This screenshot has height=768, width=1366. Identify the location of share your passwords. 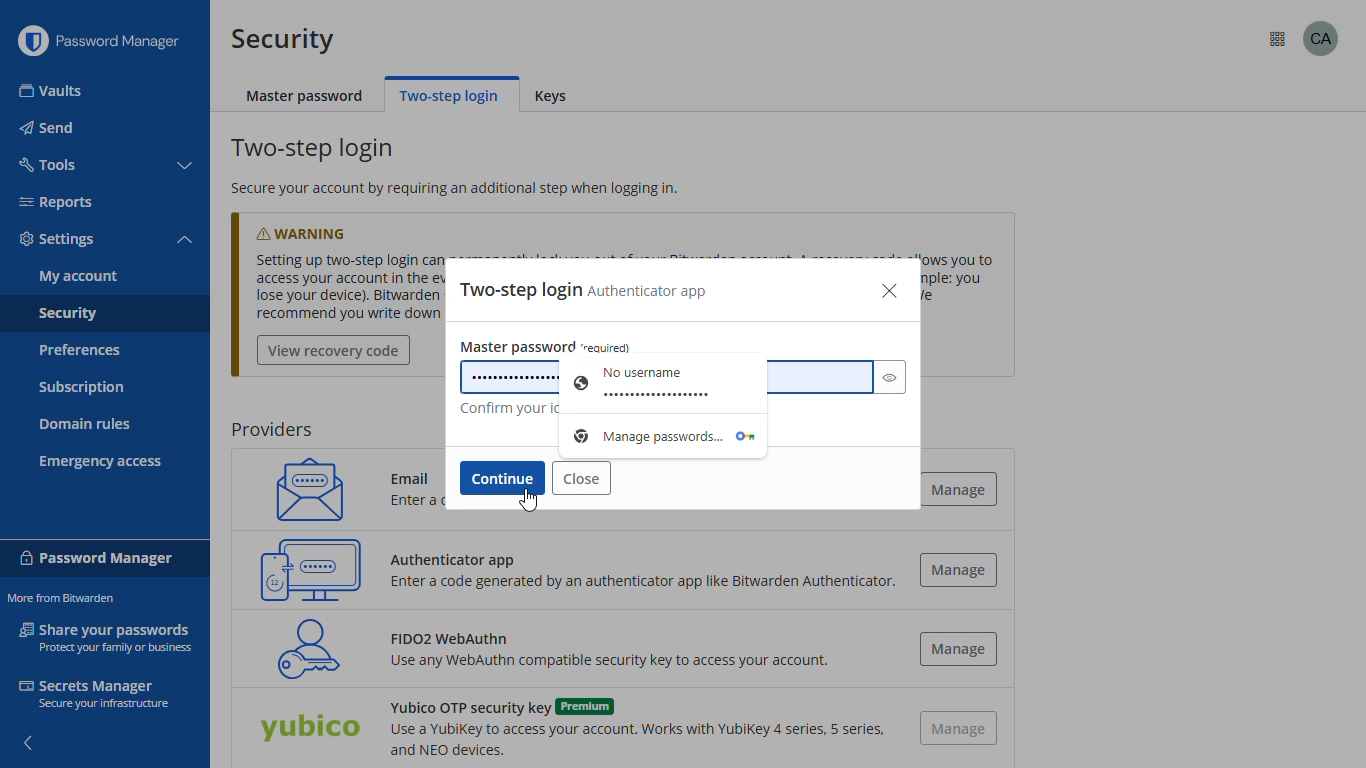
(108, 636).